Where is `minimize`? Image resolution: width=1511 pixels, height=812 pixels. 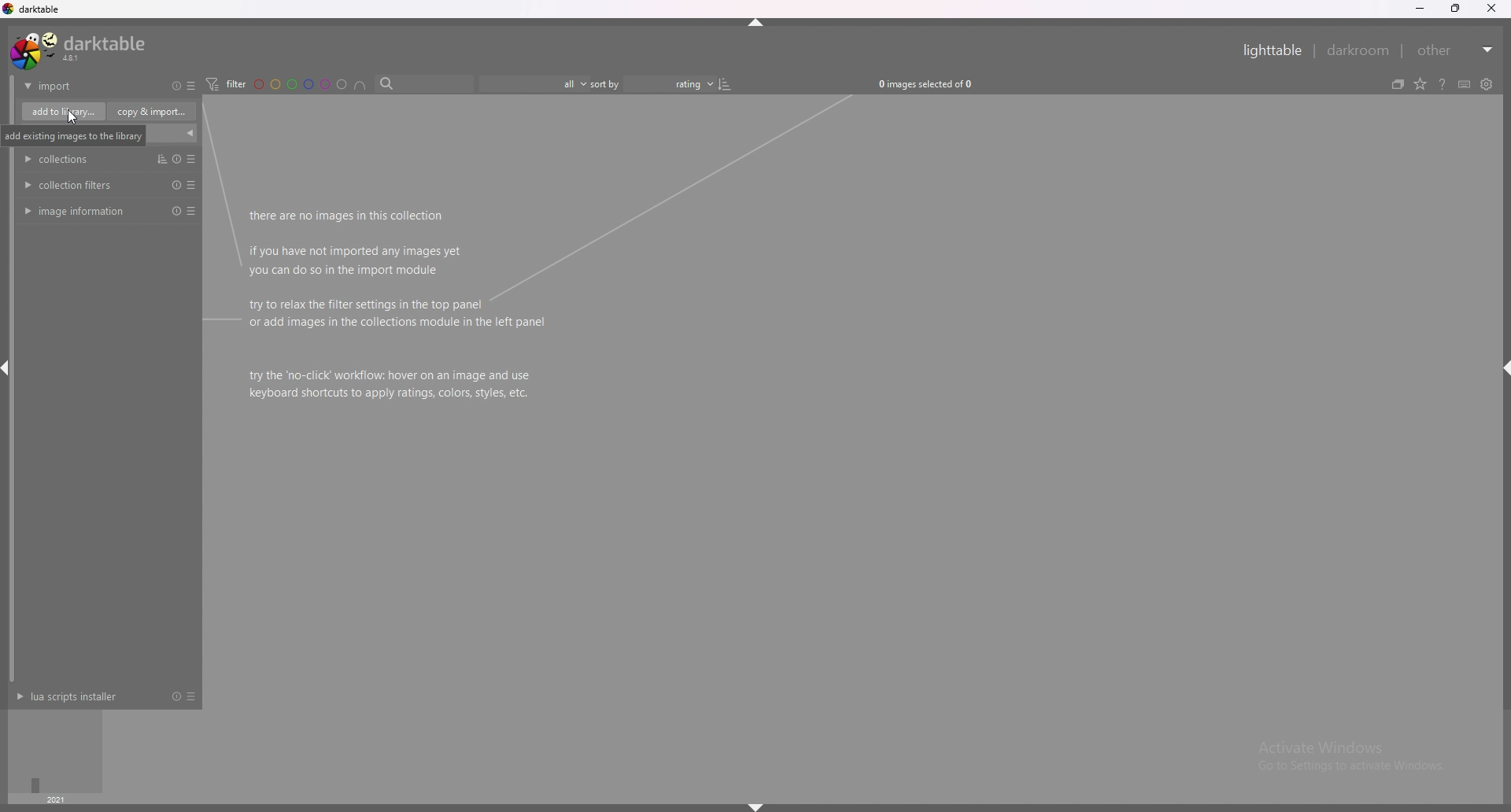 minimize is located at coordinates (1421, 9).